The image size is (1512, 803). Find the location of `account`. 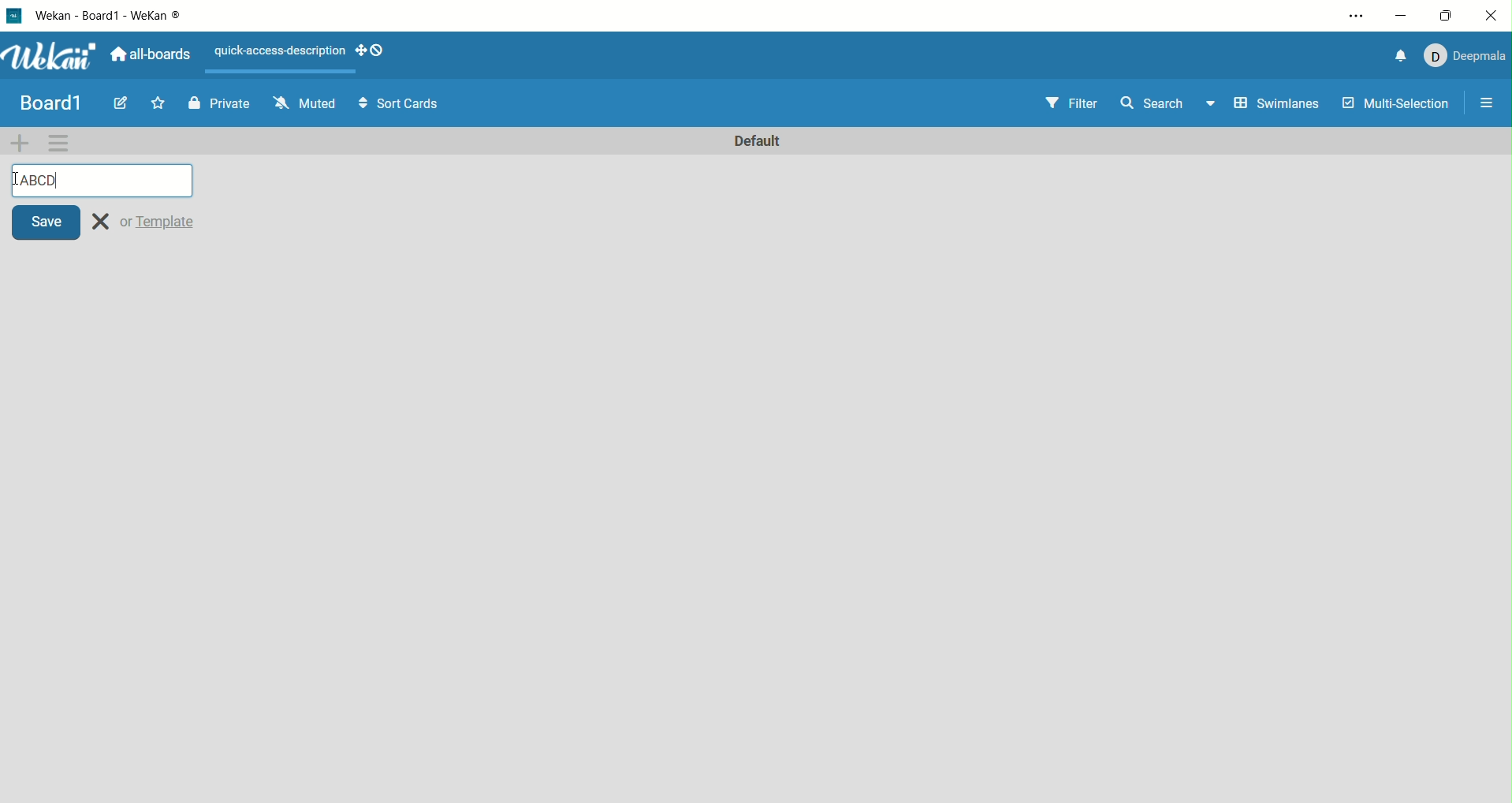

account is located at coordinates (1469, 57).